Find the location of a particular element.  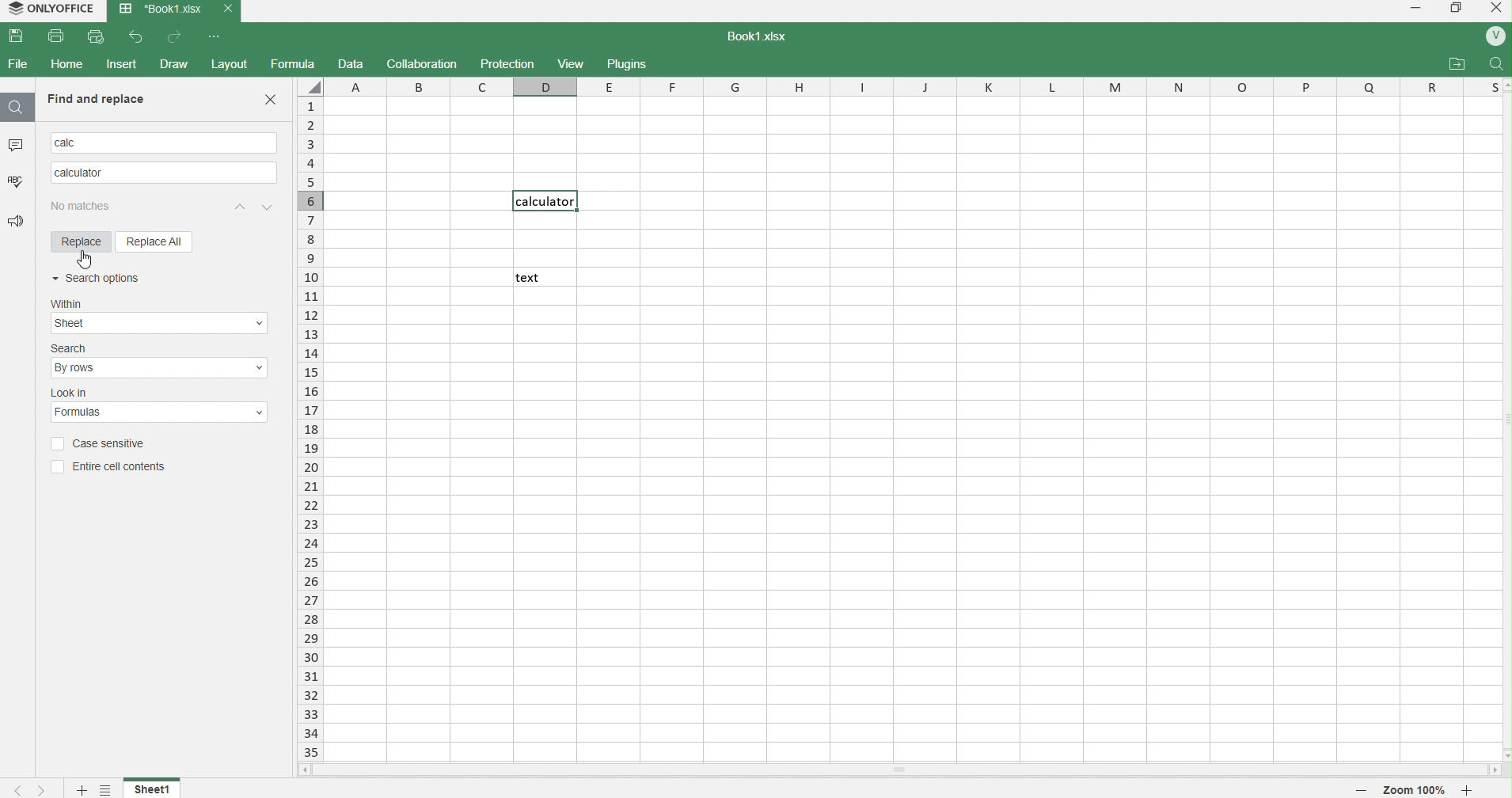

lookin is located at coordinates (75, 393).